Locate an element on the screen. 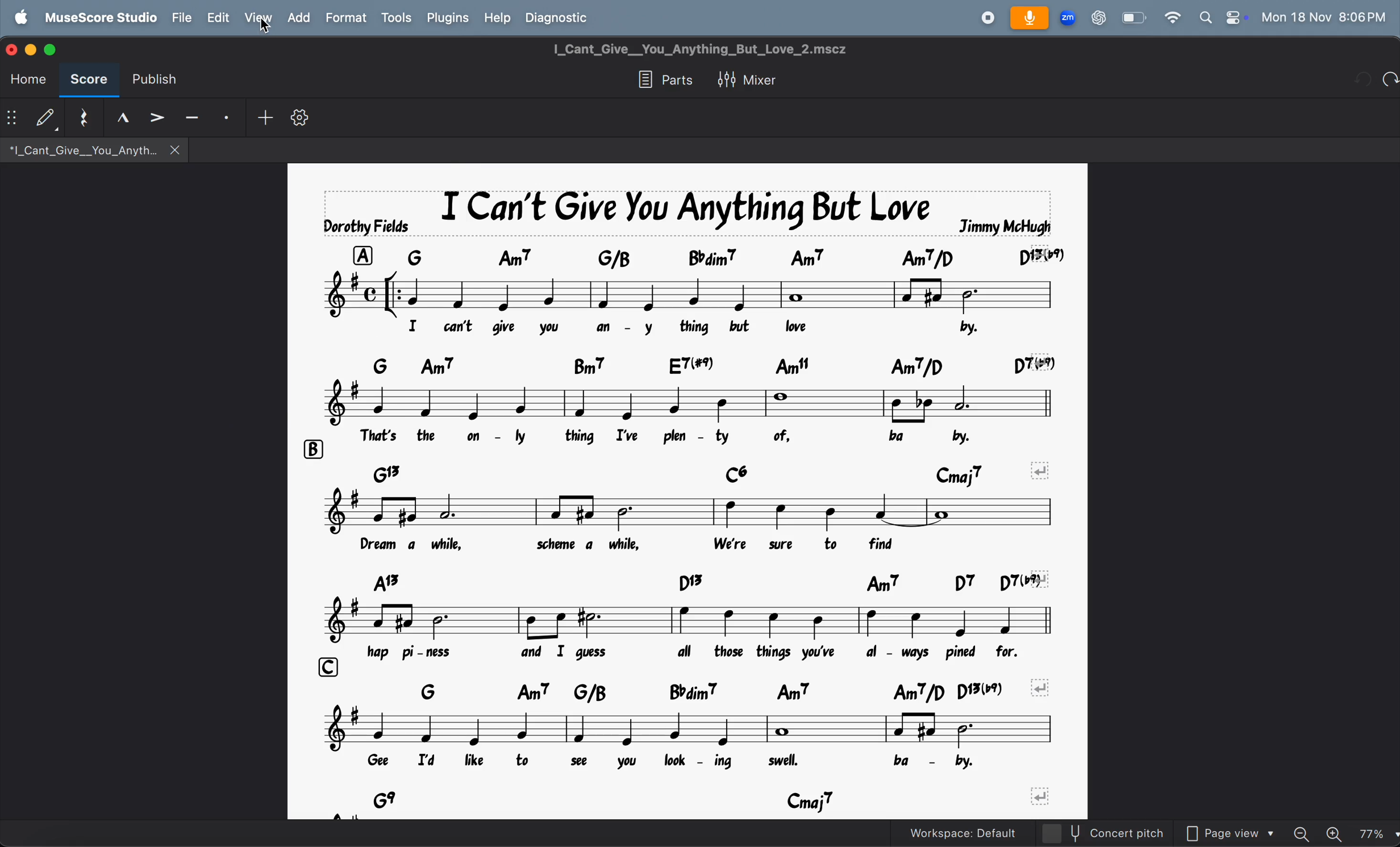  notes is located at coordinates (685, 294).